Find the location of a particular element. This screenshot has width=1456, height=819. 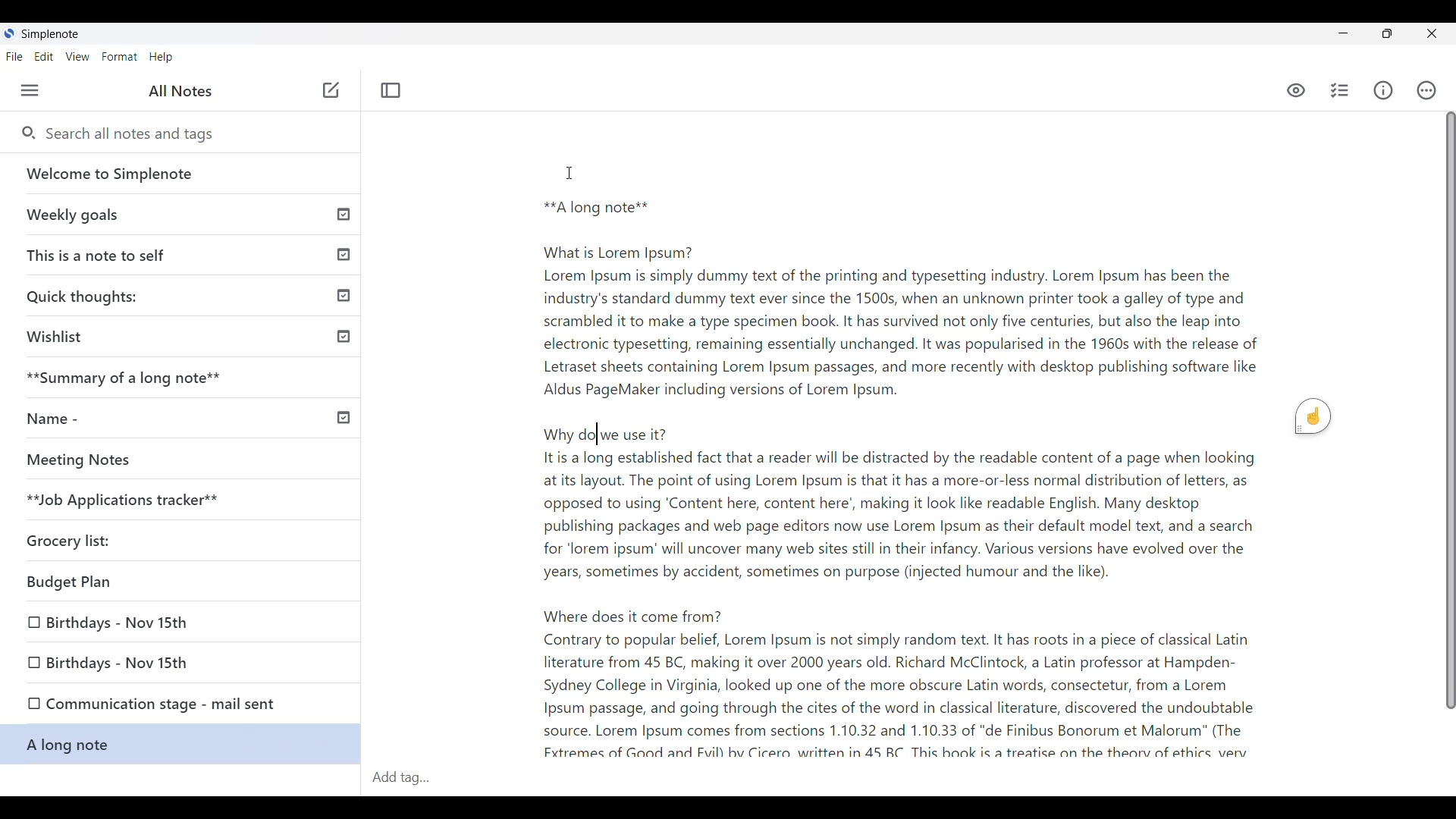

Budget plan is located at coordinates (127, 585).